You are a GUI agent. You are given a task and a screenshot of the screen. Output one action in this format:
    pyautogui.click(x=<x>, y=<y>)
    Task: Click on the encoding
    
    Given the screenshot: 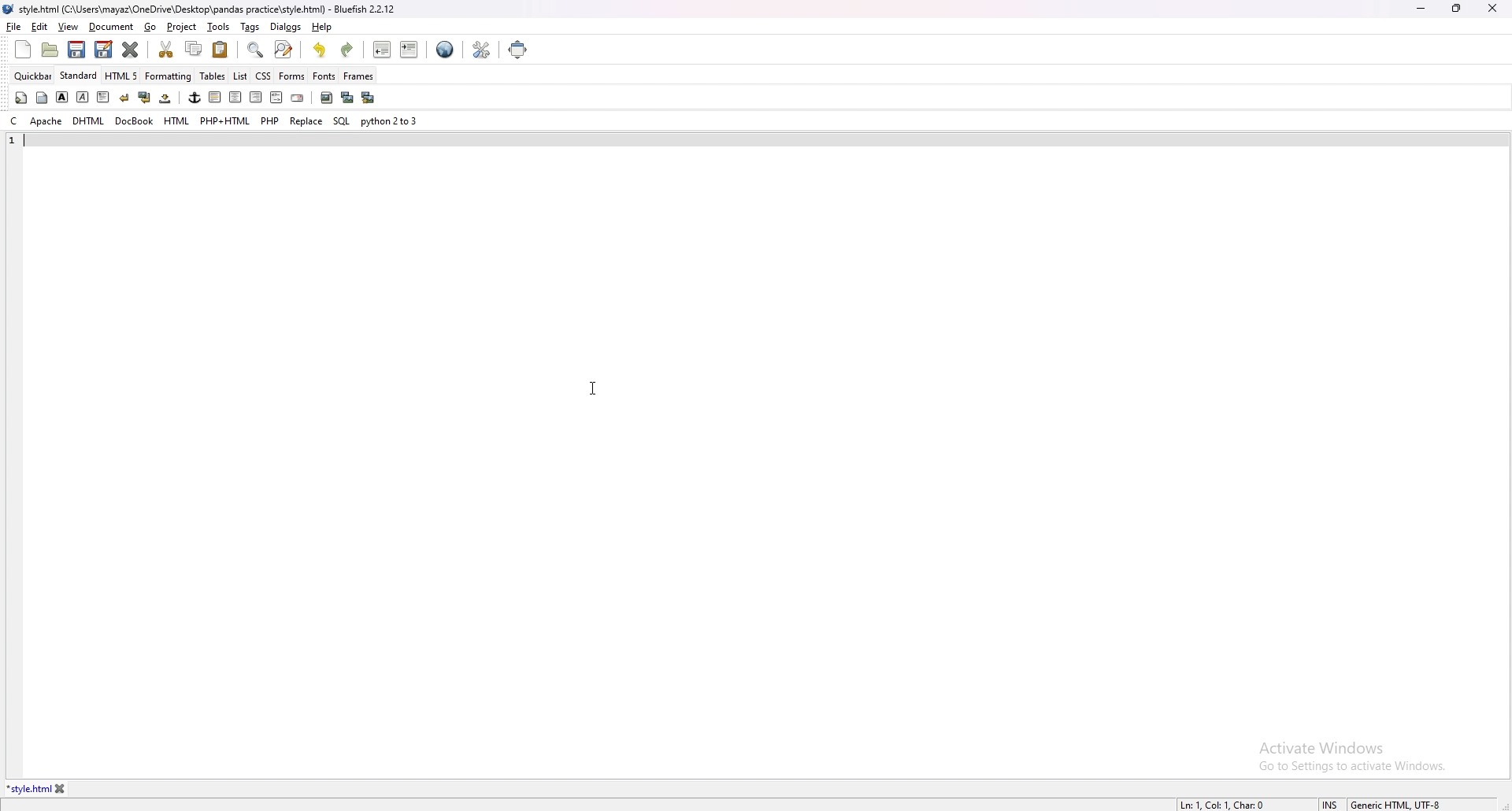 What is the action you would take?
    pyautogui.click(x=1396, y=805)
    